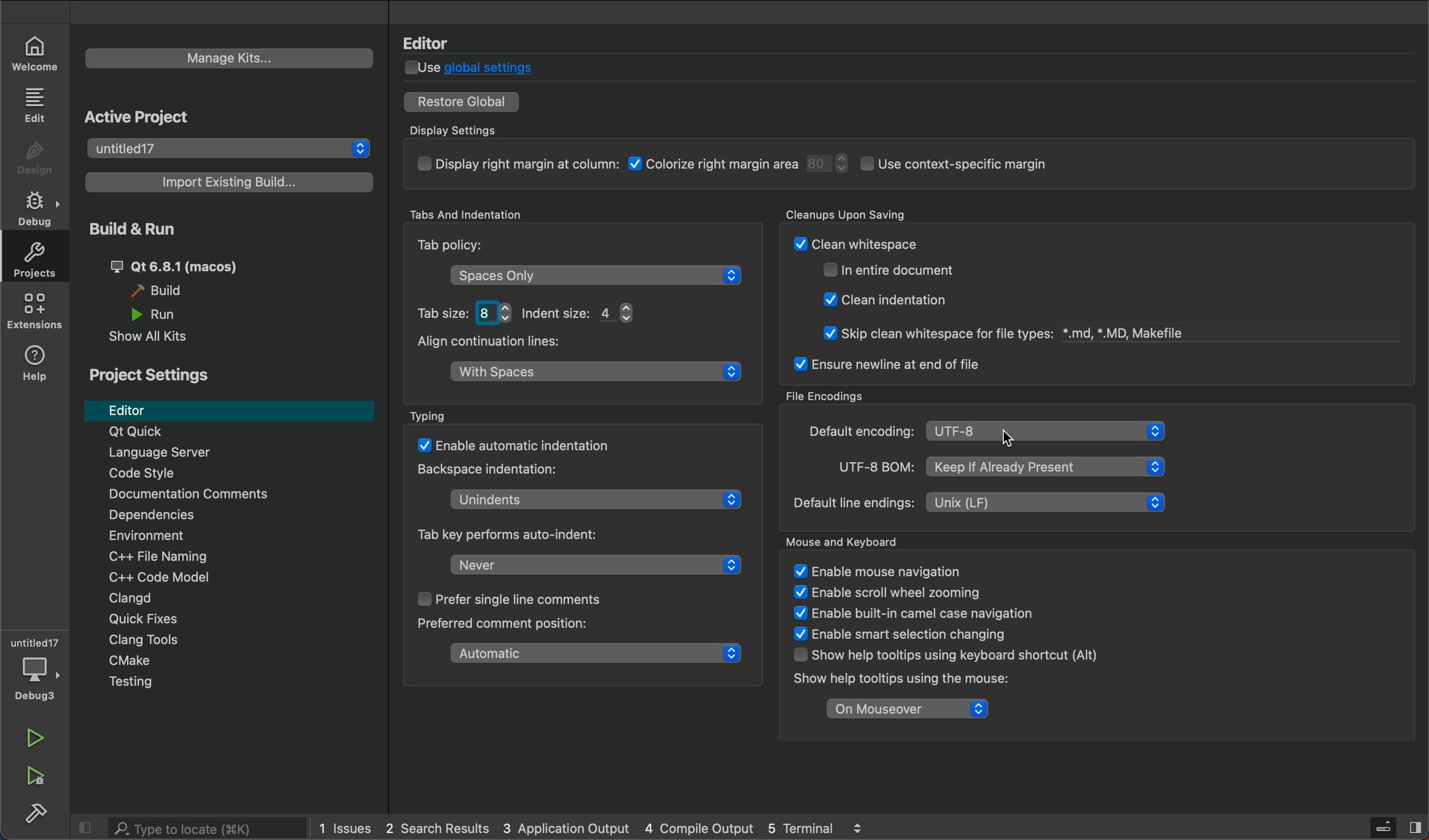 The height and width of the screenshot is (840, 1429). I want to click on run and build, so click(39, 778).